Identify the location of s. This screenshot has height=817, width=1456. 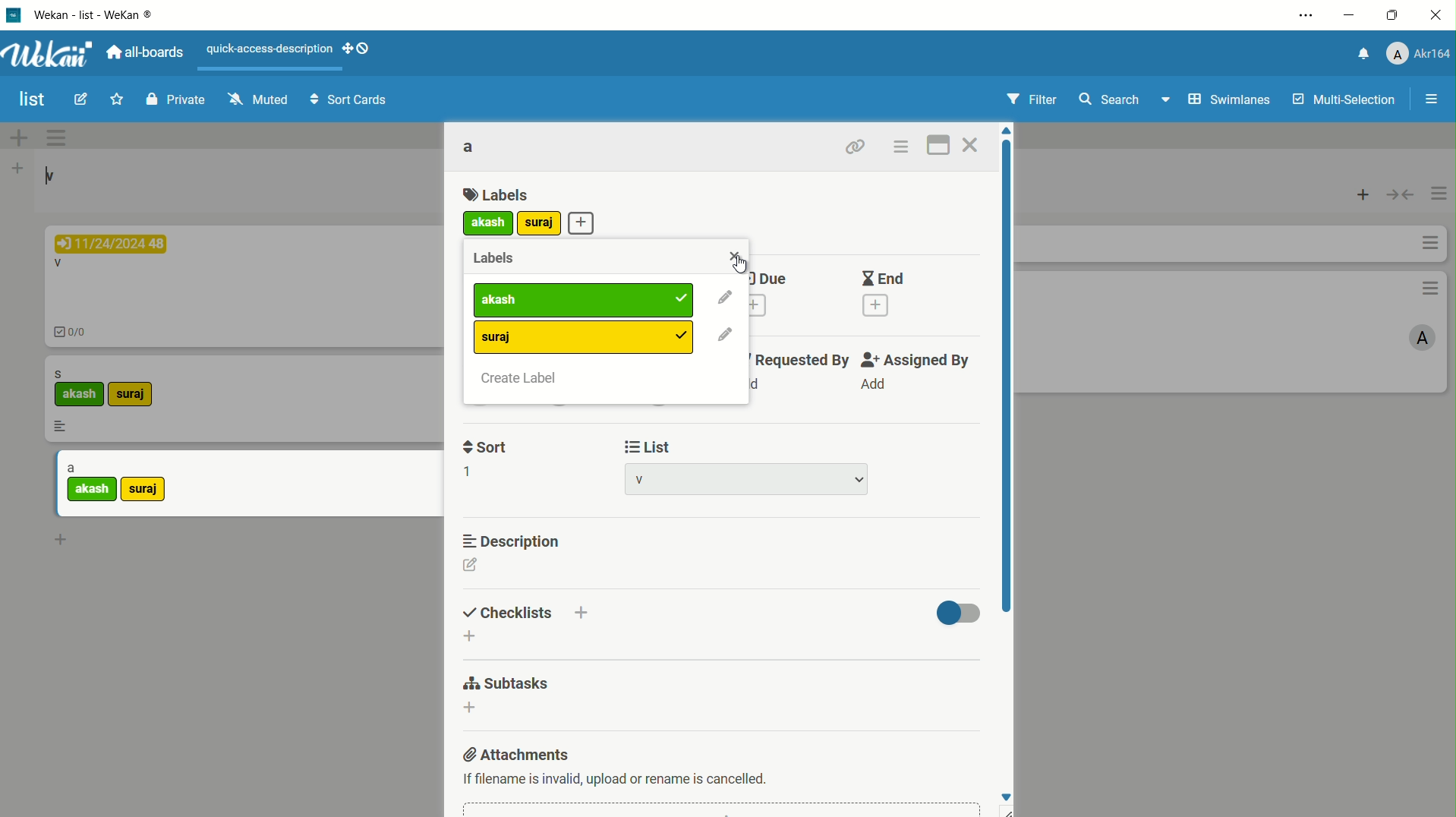
(66, 373).